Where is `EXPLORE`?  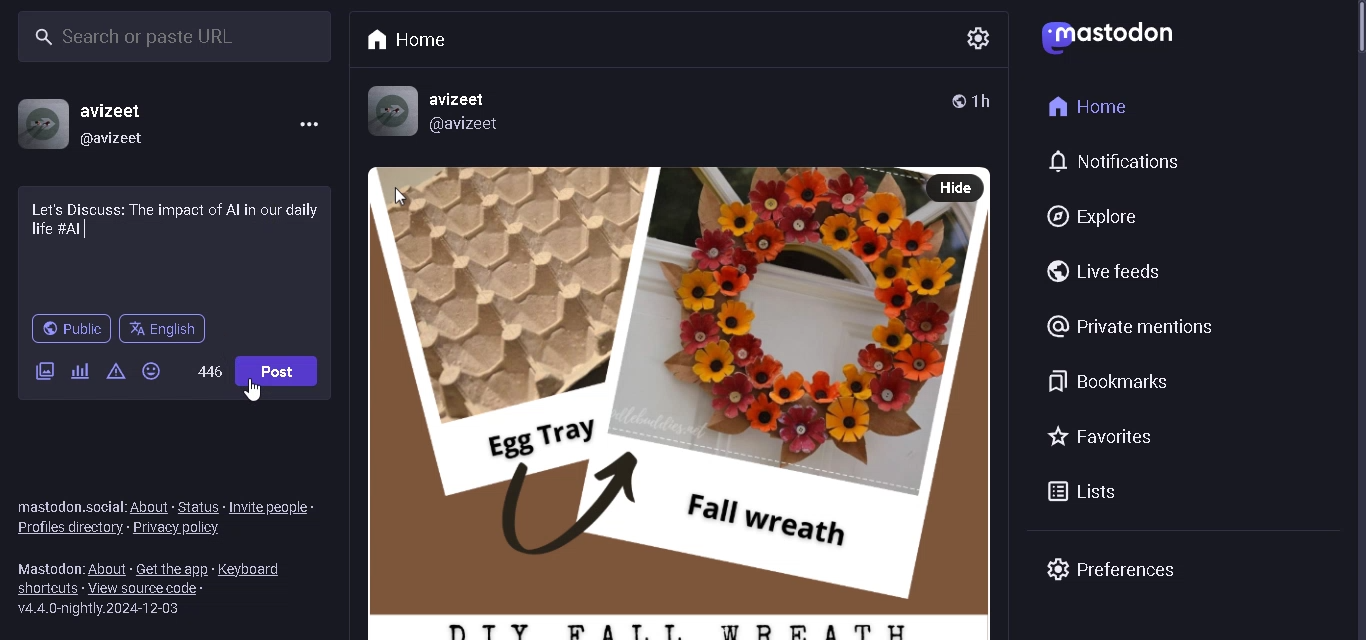
EXPLORE is located at coordinates (1091, 214).